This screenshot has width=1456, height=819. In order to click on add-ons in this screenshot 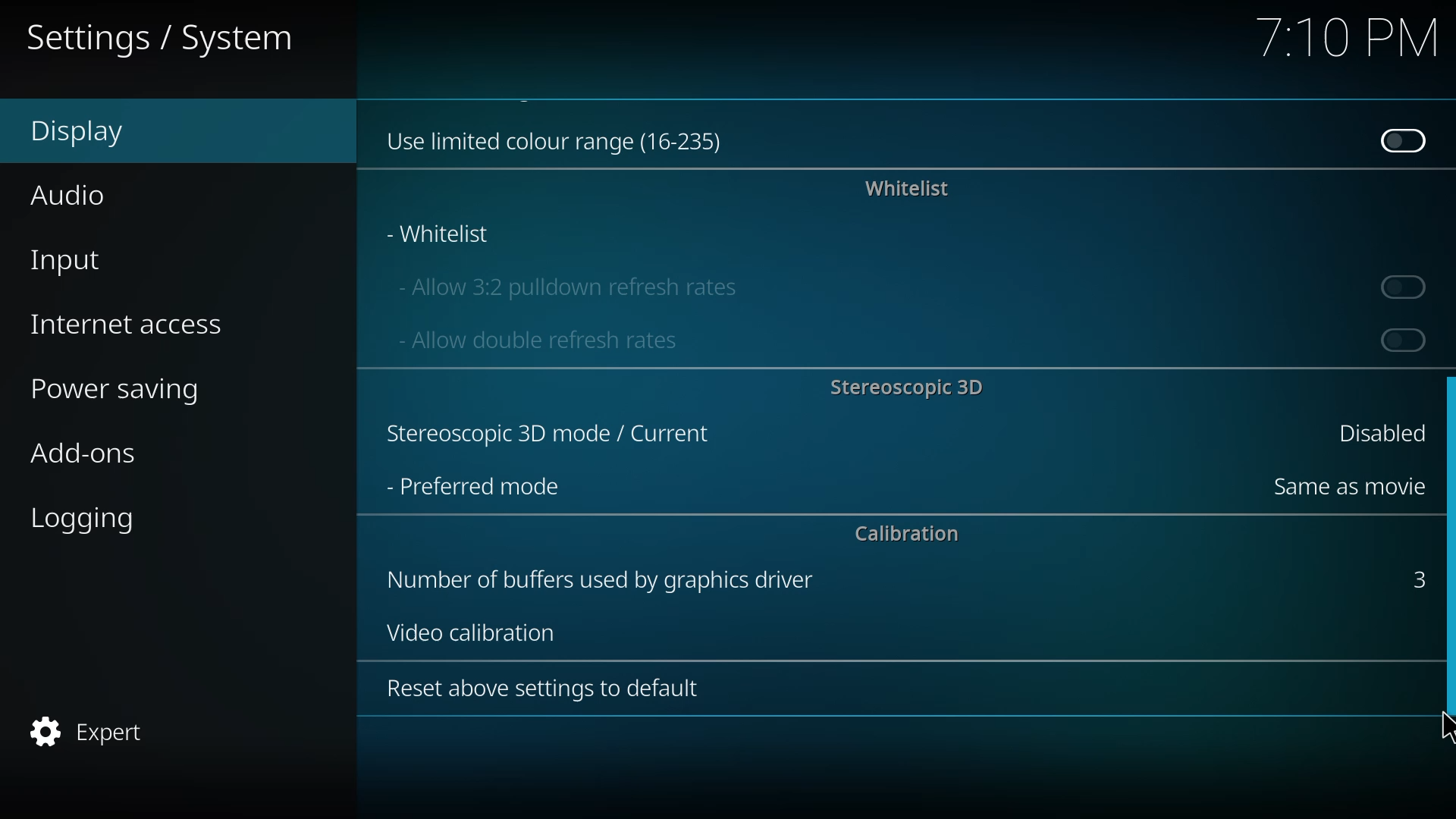, I will do `click(98, 456)`.